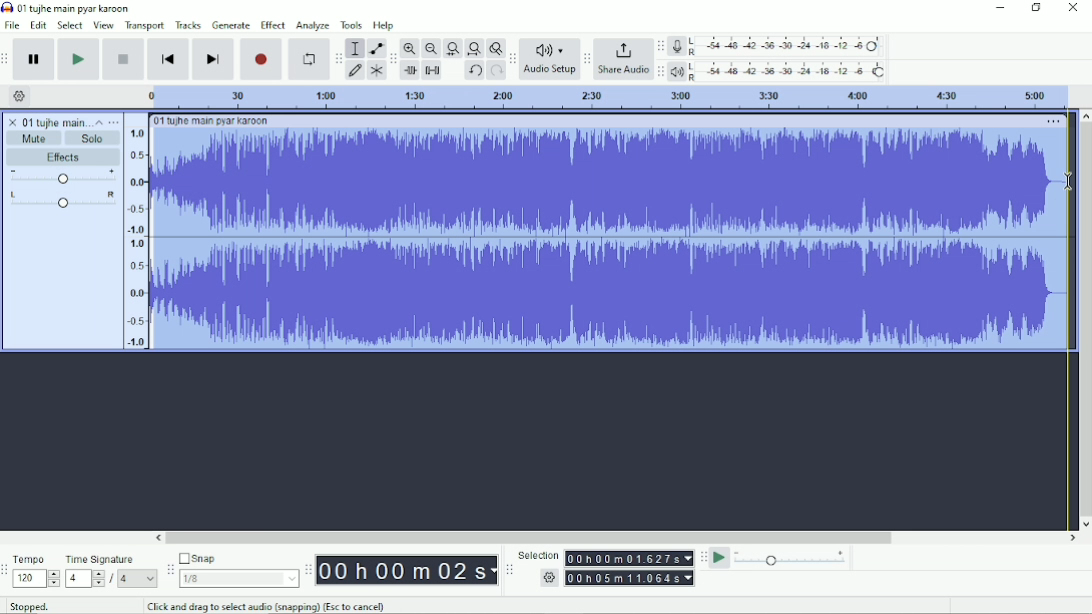 The image size is (1092, 614). I want to click on Multi-tool, so click(375, 70).